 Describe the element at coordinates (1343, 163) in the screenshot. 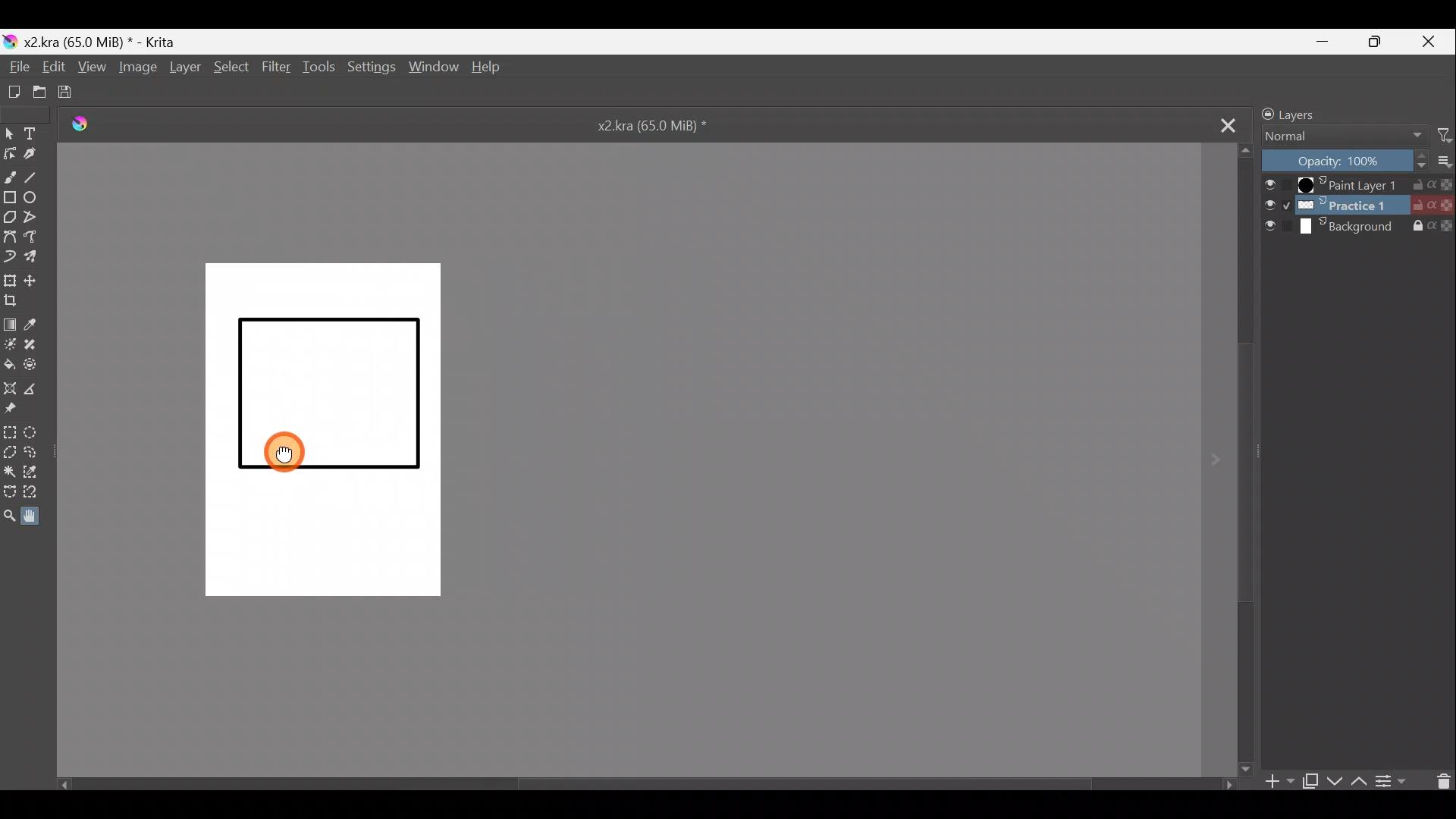

I see `Layer Opacity` at that location.